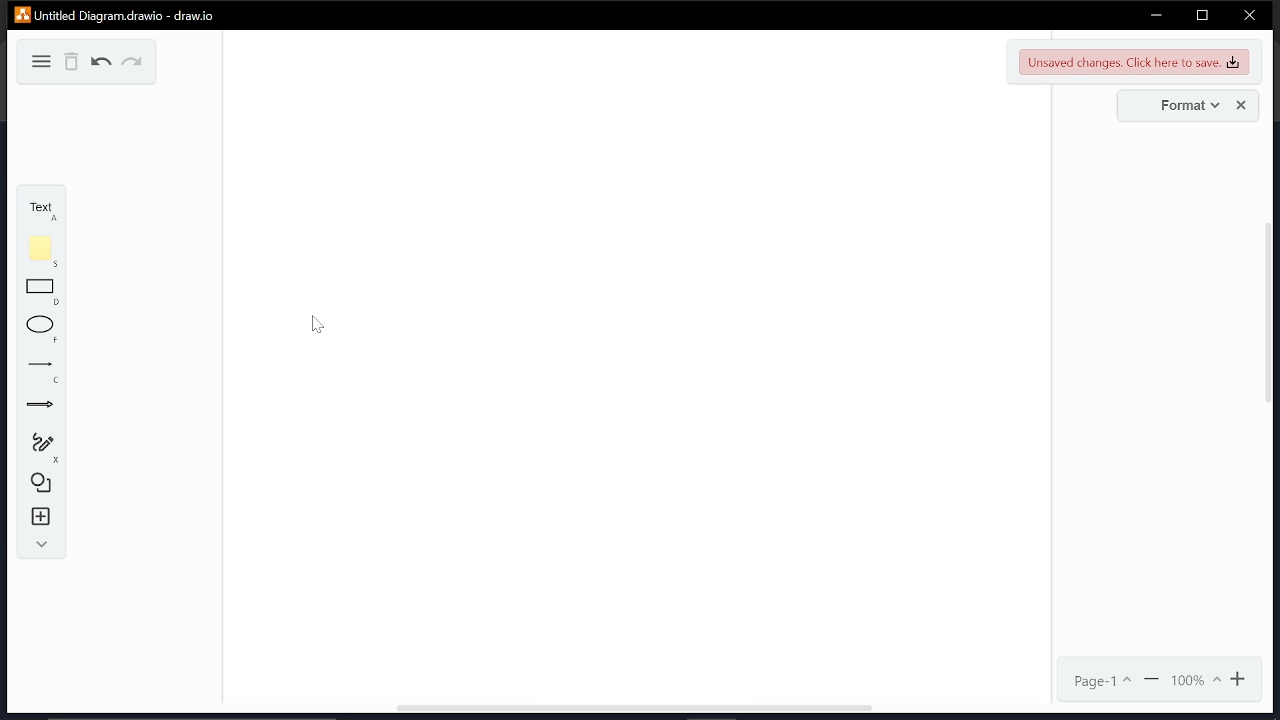 The width and height of the screenshot is (1280, 720). Describe the element at coordinates (1103, 681) in the screenshot. I see `page1` at that location.